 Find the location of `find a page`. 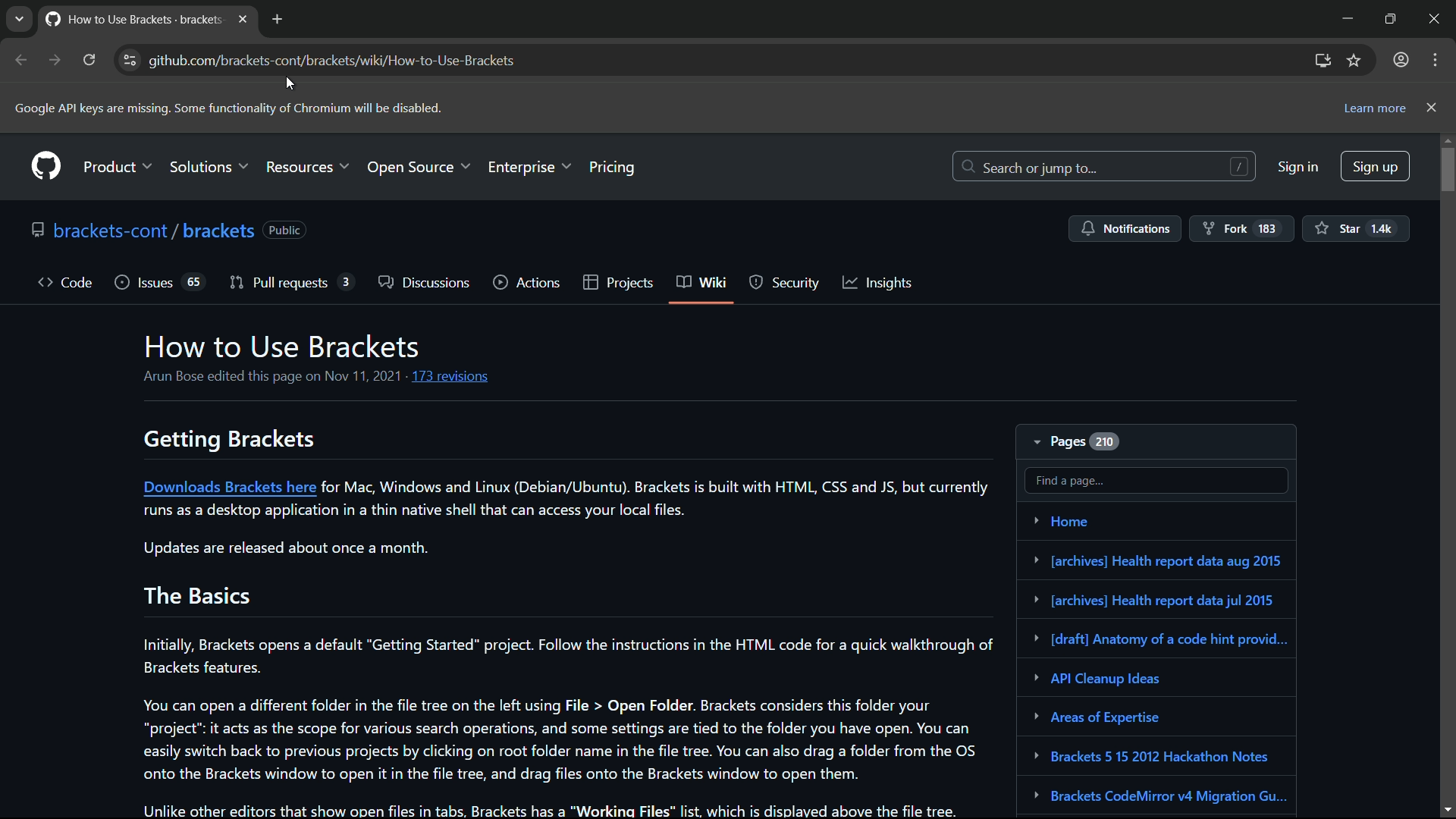

find a page is located at coordinates (1159, 482).